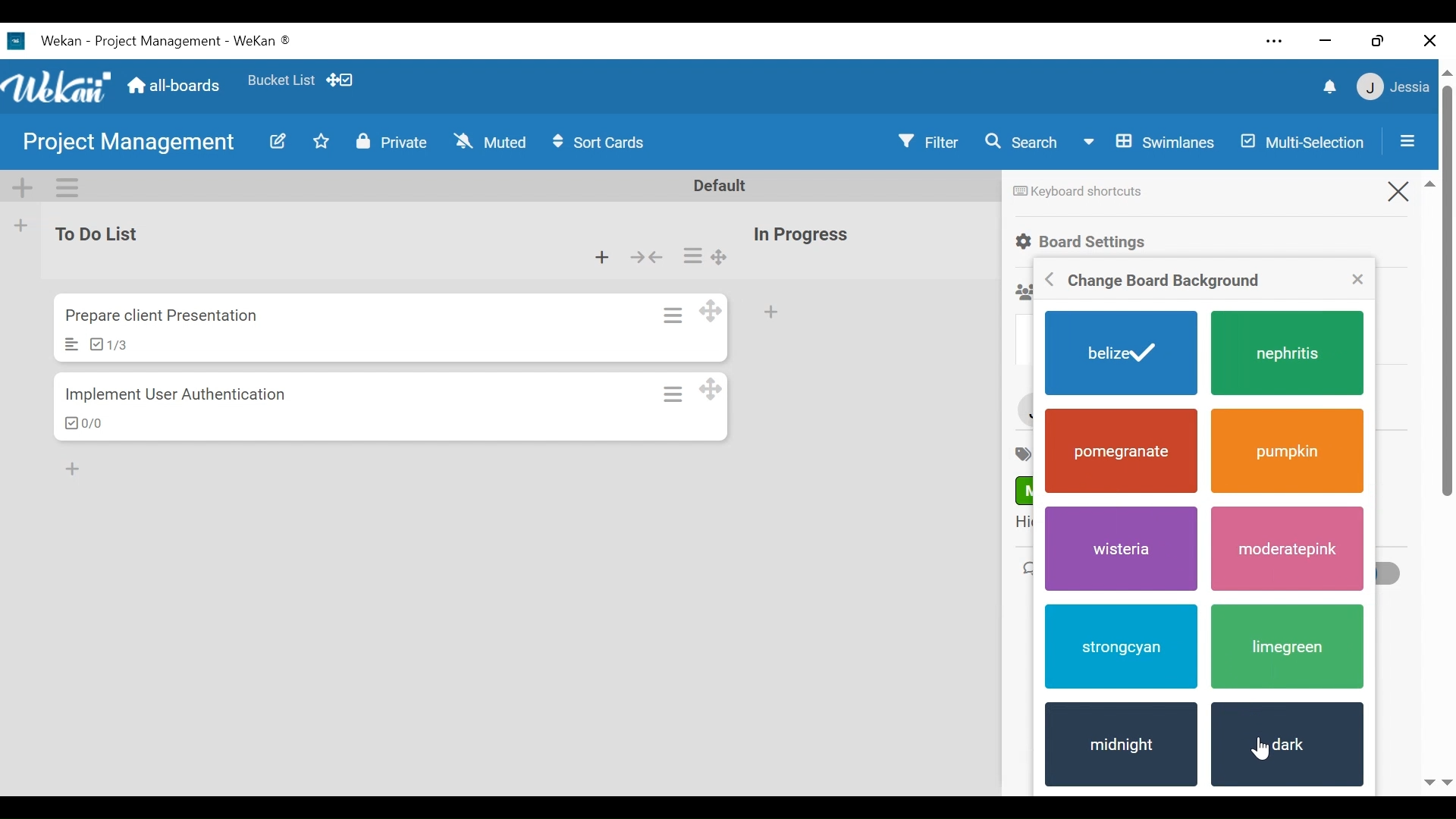 The height and width of the screenshot is (819, 1456). I want to click on Add card to bottom of the list, so click(610, 258).